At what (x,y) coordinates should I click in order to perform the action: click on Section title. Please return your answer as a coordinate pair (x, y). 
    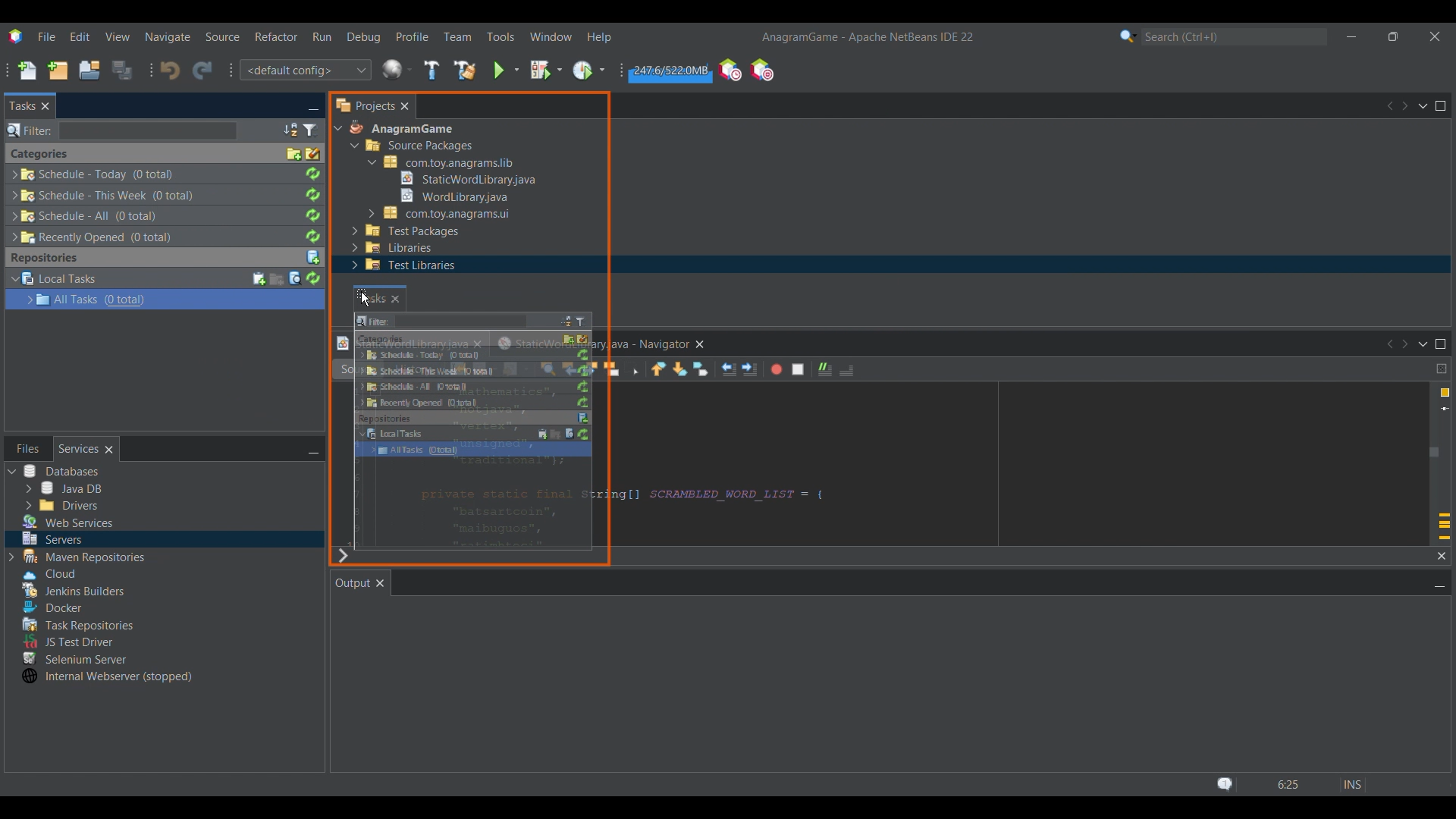
    Looking at the image, I should click on (39, 154).